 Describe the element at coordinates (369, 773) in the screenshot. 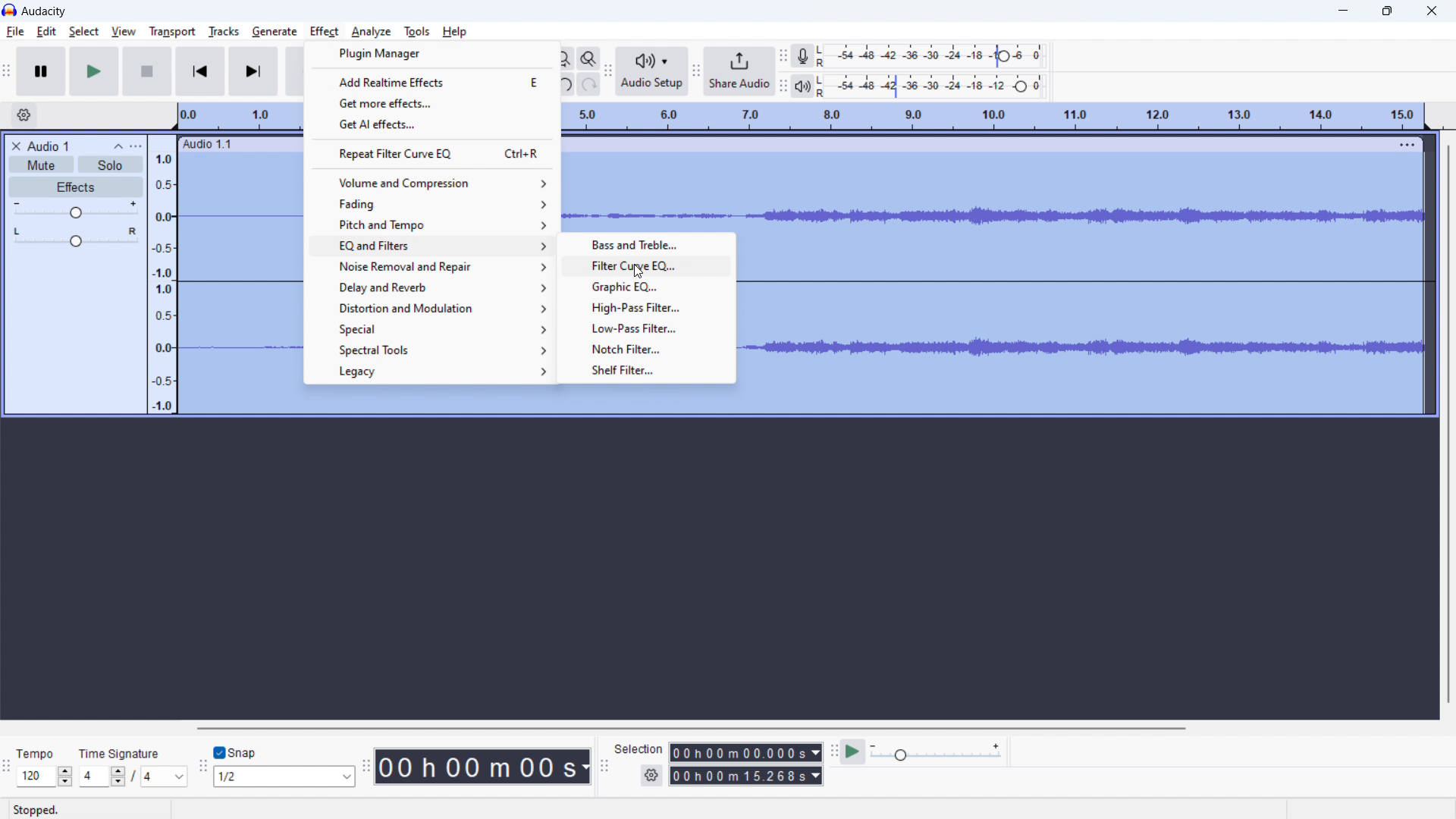

I see `time toolbar` at that location.